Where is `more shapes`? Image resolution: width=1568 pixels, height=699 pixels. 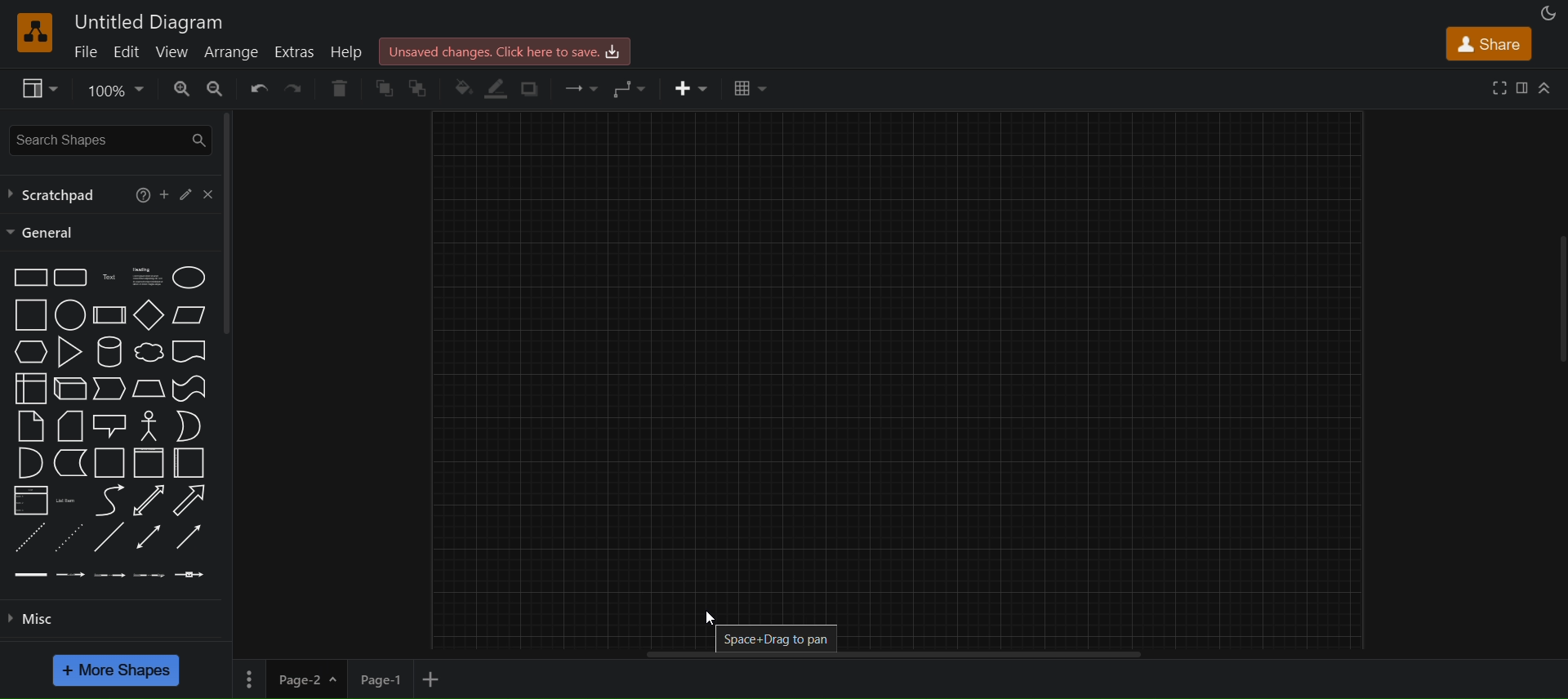
more shapes is located at coordinates (118, 670).